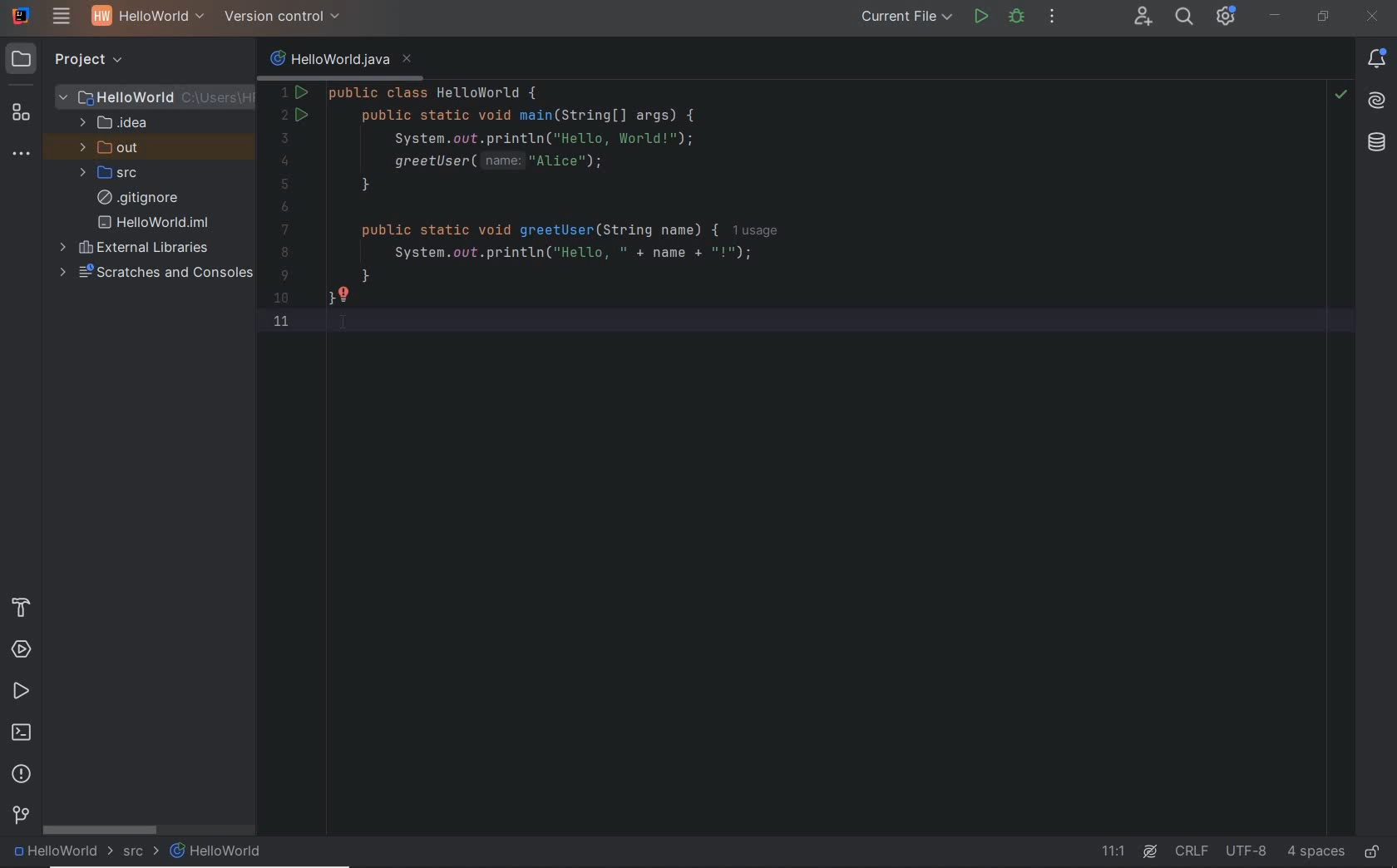 The width and height of the screenshot is (1397, 868). What do you see at coordinates (1227, 18) in the screenshot?
I see `Updates and project settings` at bounding box center [1227, 18].